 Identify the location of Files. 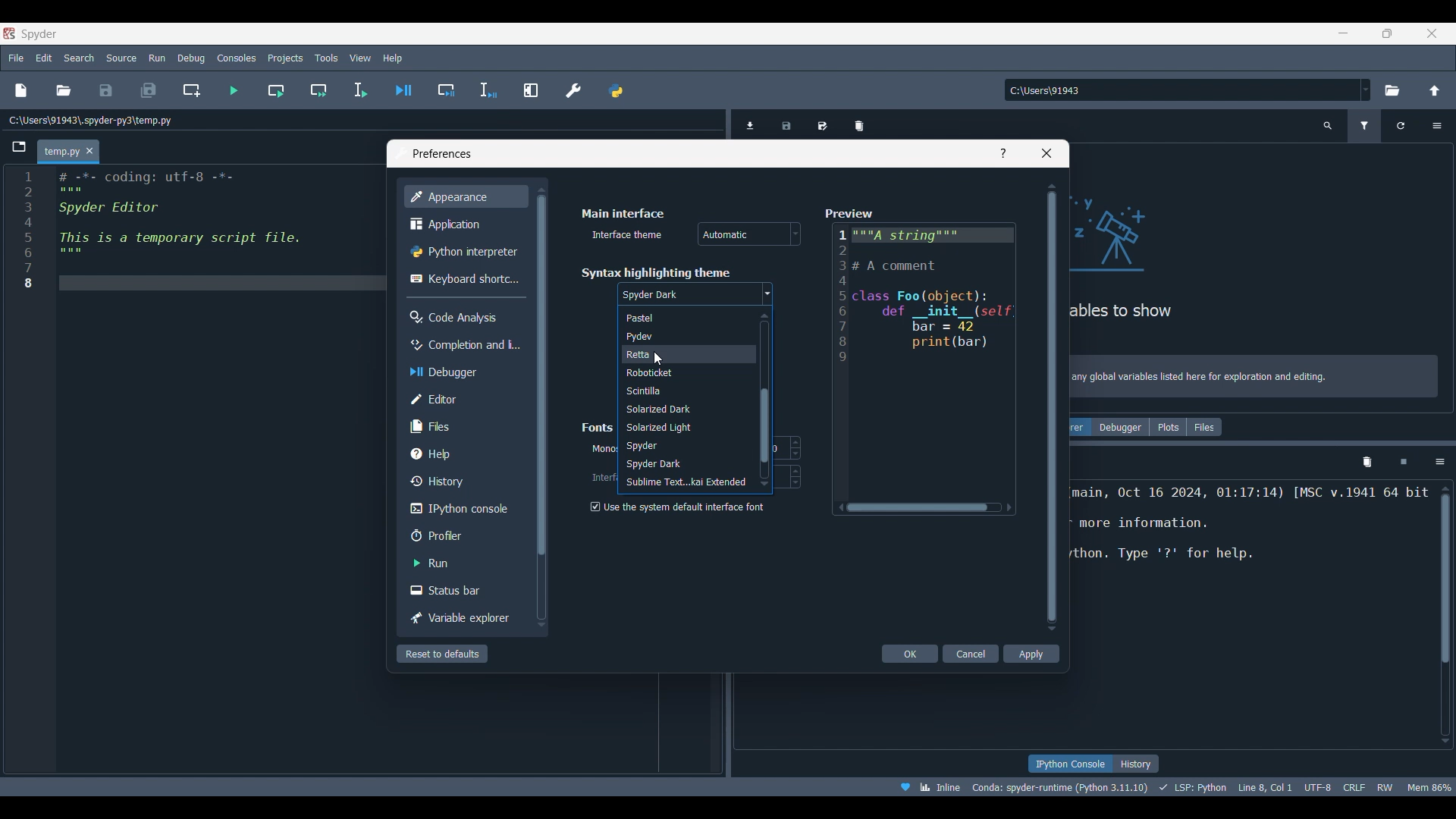
(1205, 427).